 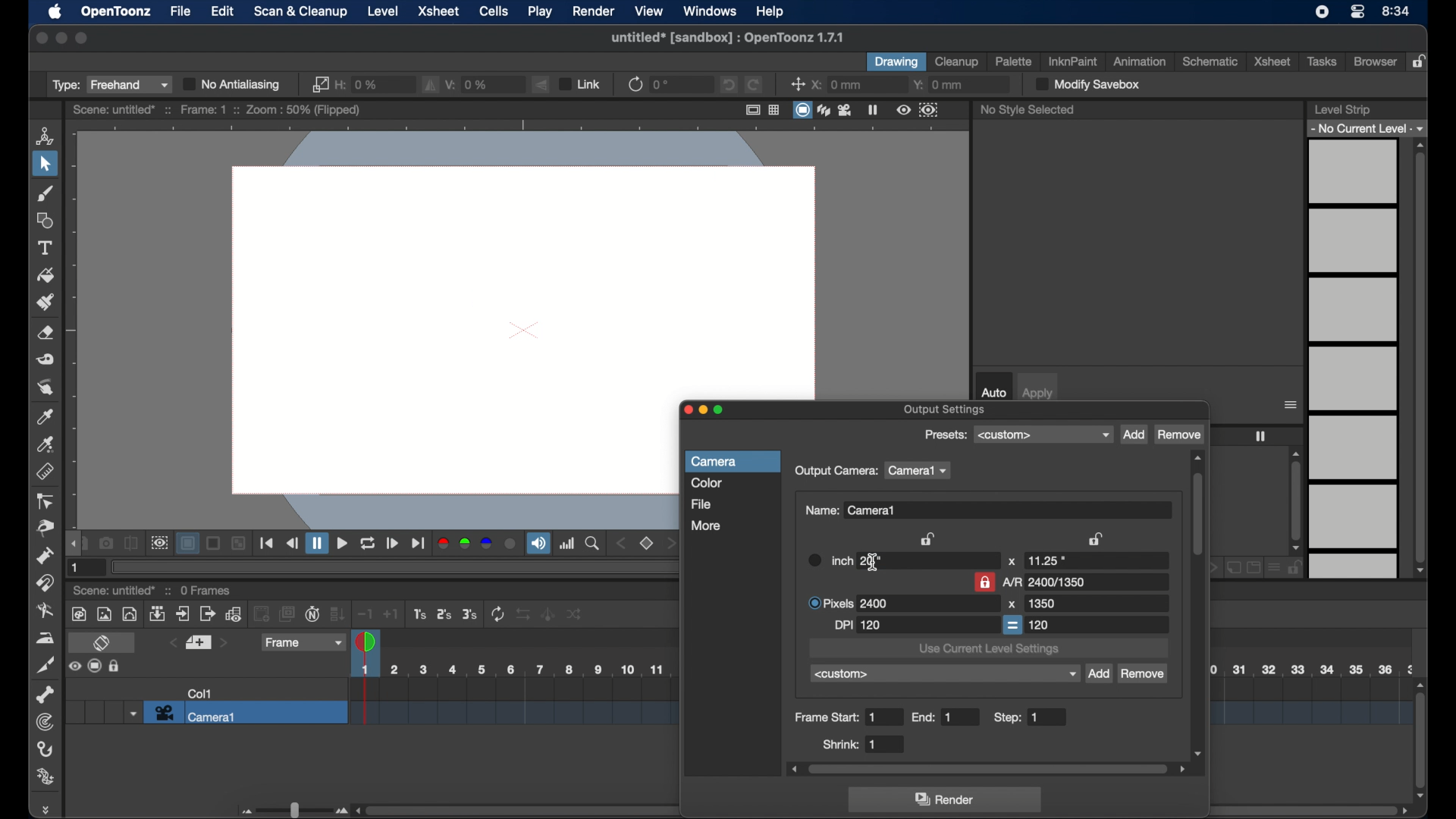 I want to click on screen recorder icon, so click(x=1323, y=11).